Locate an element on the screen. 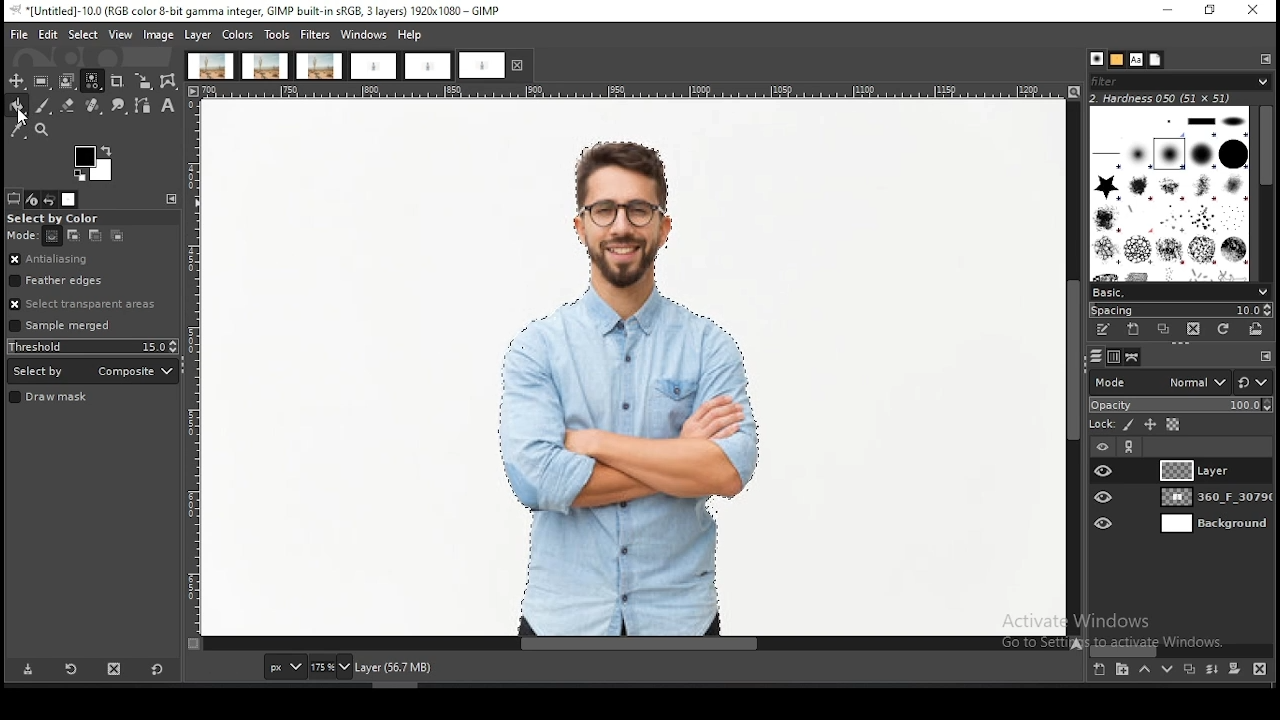  sample merged is located at coordinates (64, 325).